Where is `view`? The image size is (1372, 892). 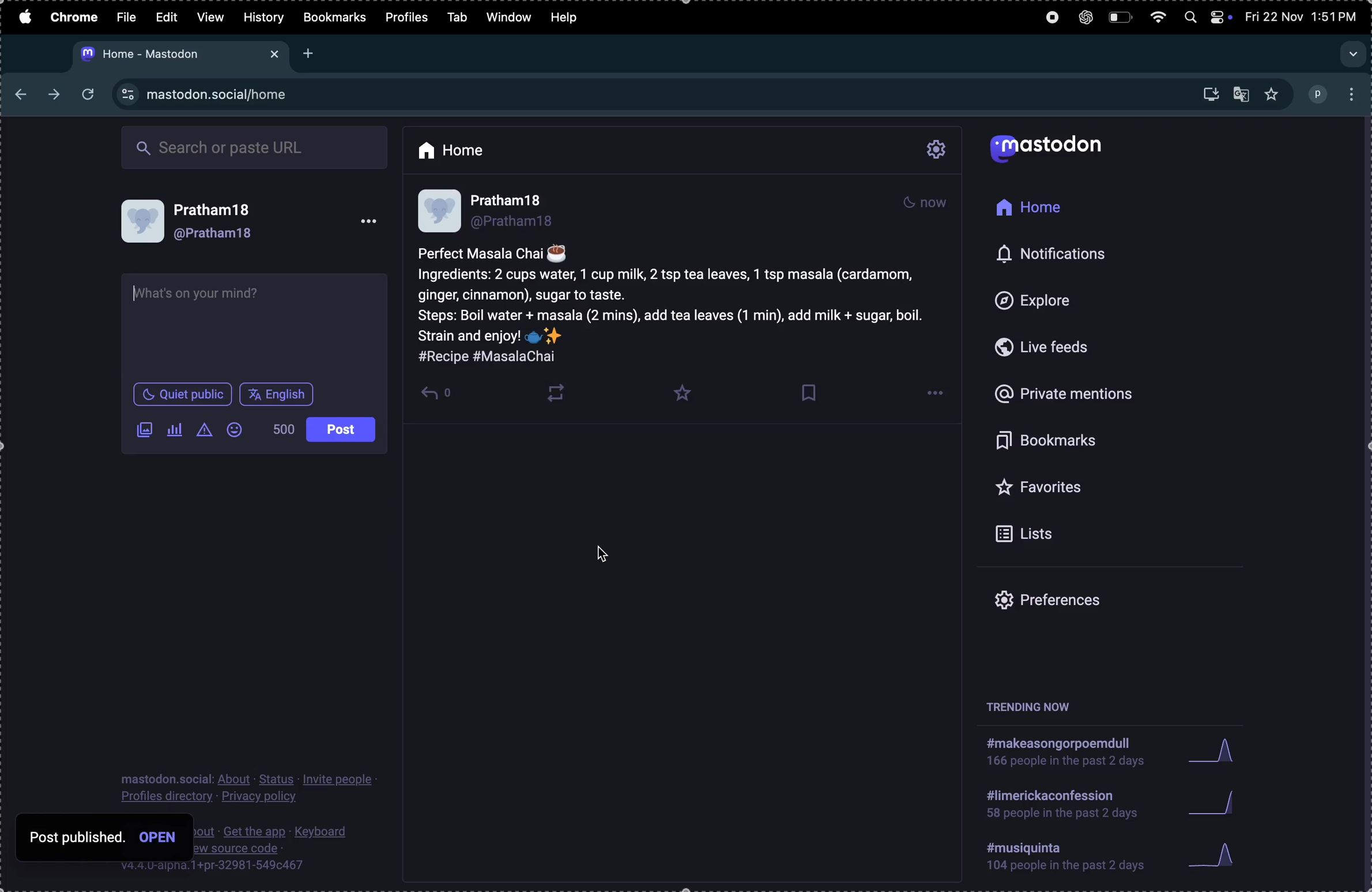 view is located at coordinates (211, 16).